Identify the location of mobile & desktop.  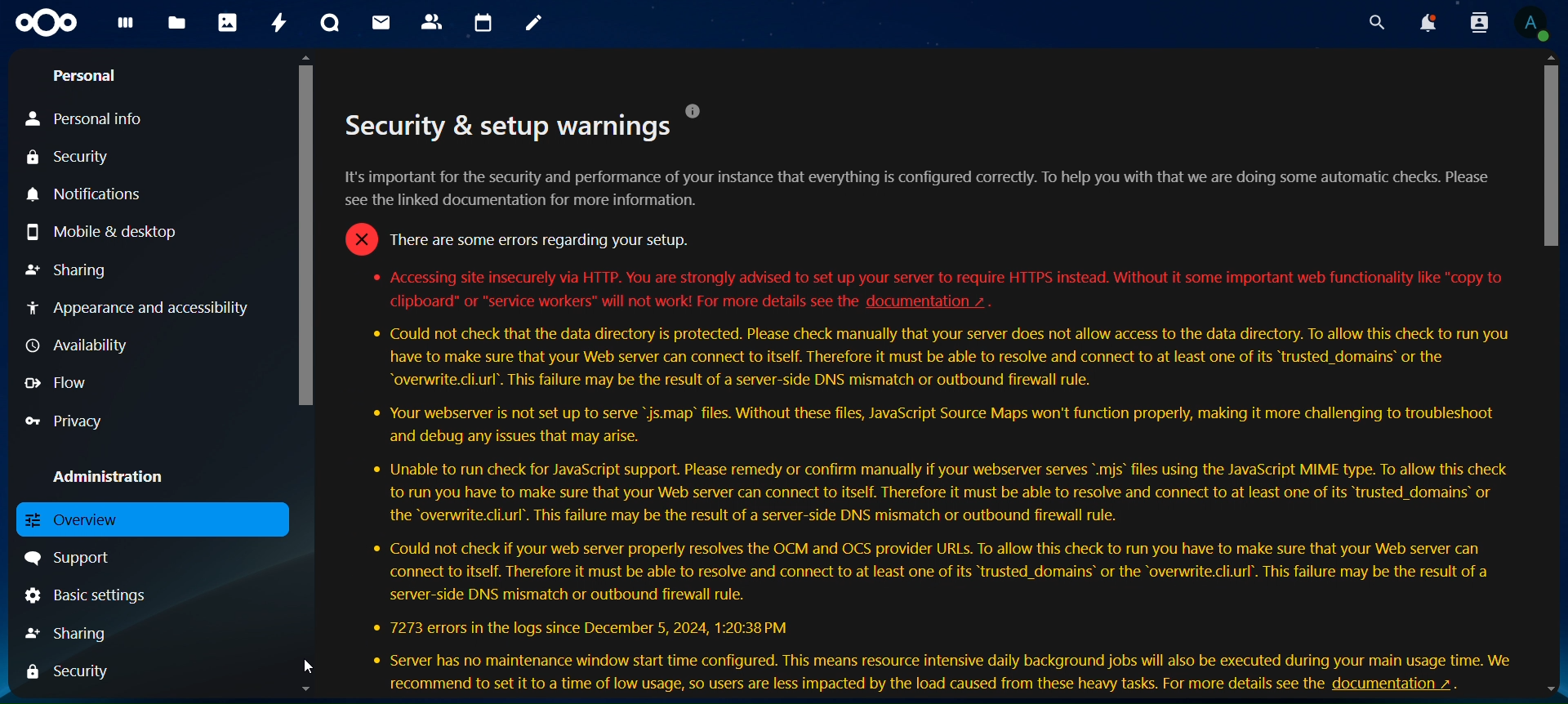
(103, 231).